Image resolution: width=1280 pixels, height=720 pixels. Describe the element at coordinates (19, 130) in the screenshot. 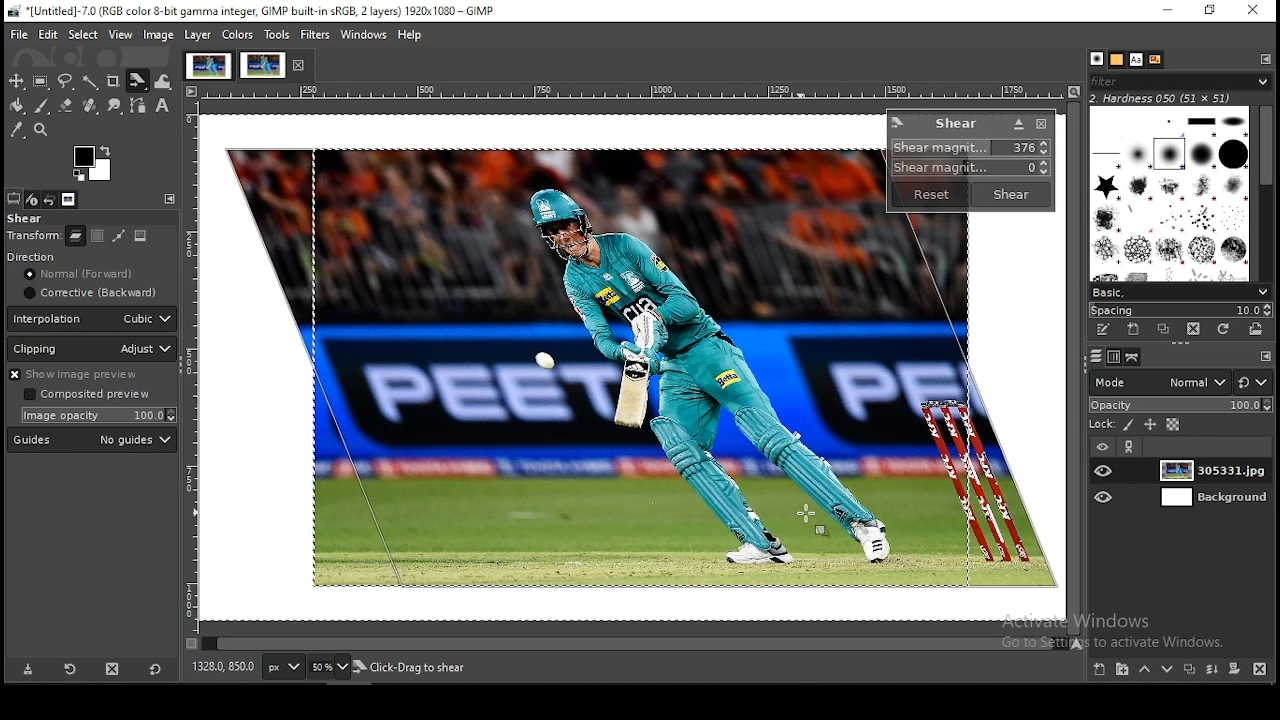

I see `color picker tool` at that location.